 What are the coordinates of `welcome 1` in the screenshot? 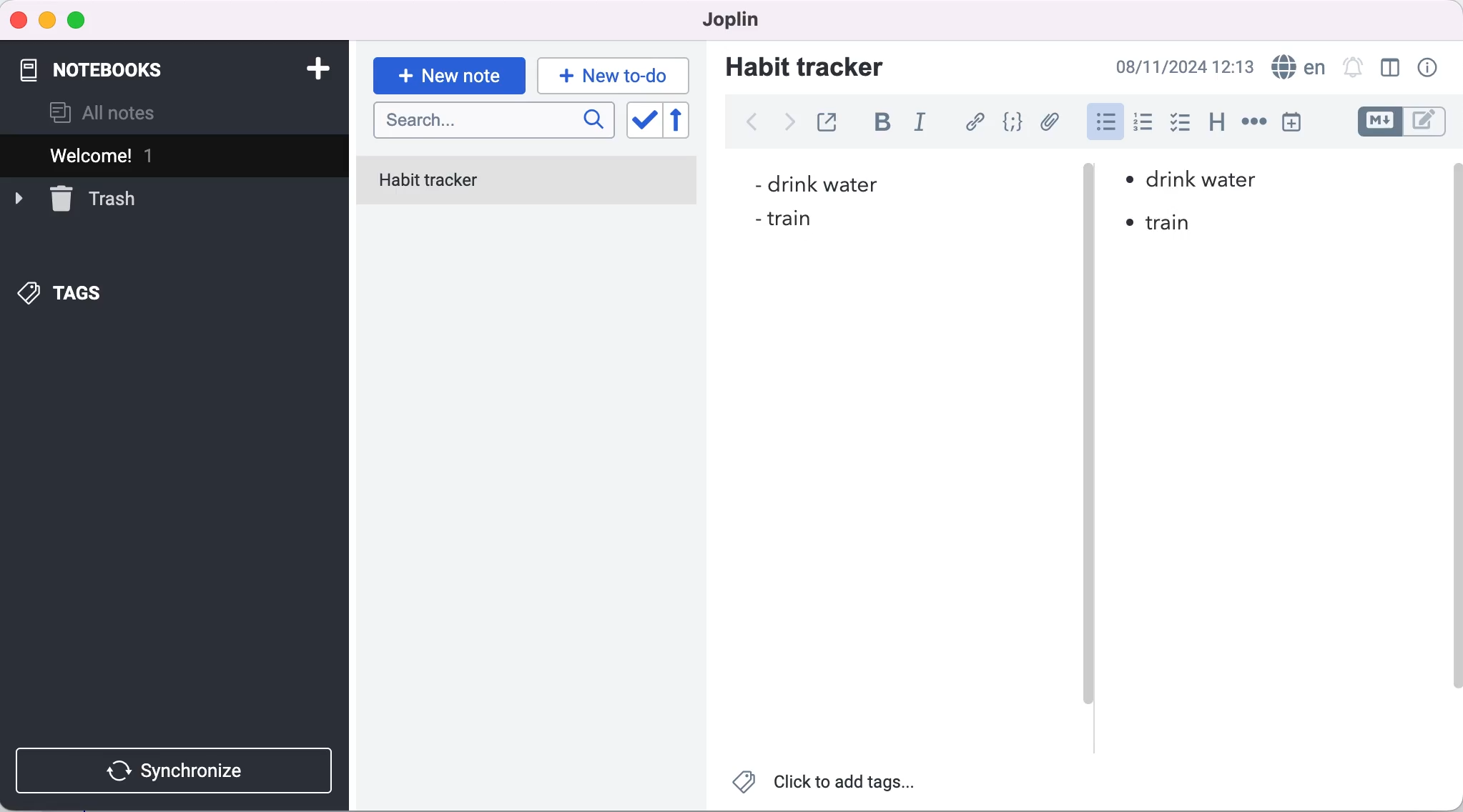 It's located at (177, 155).